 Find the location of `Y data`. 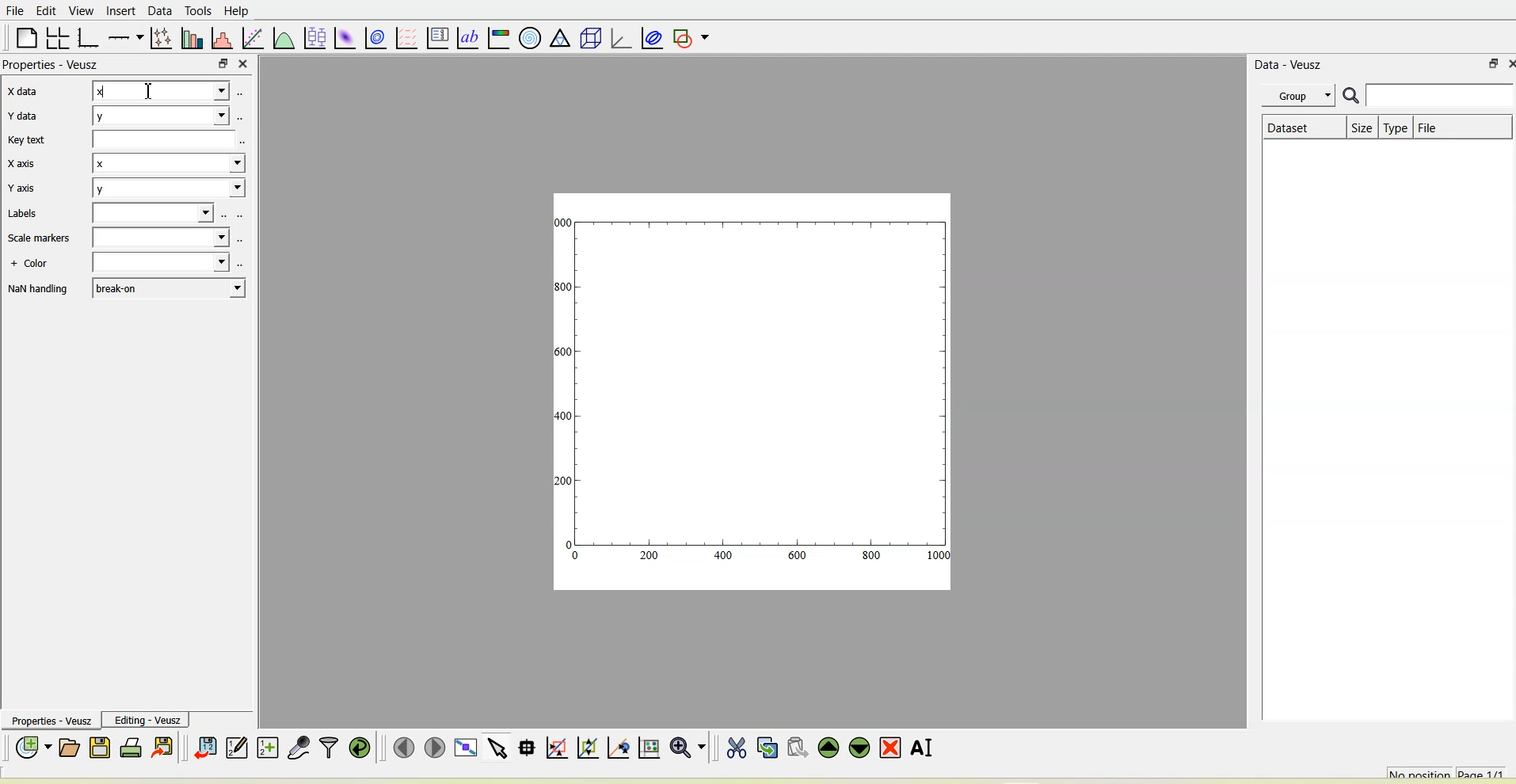

Y data is located at coordinates (27, 118).